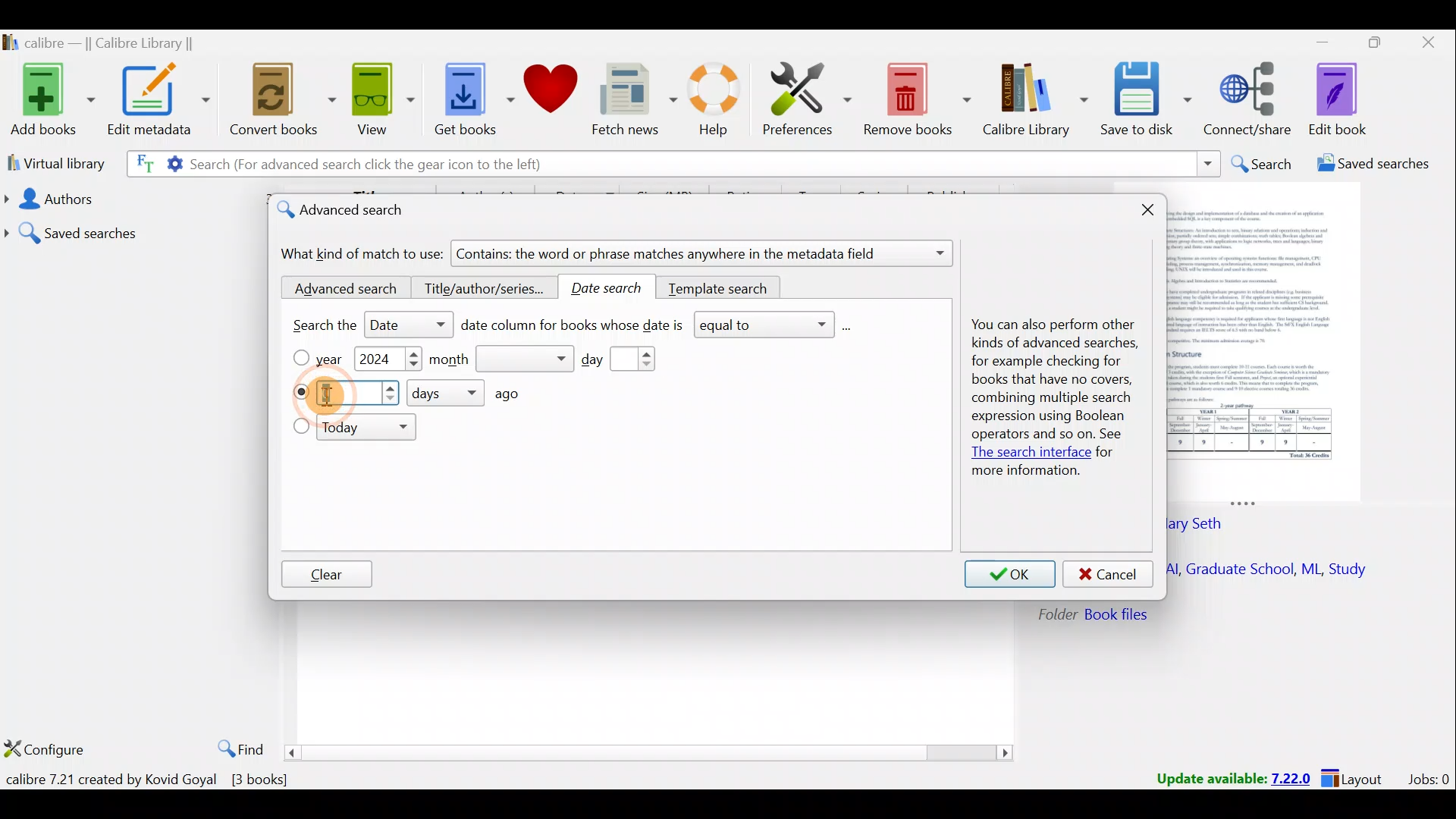 This screenshot has height=819, width=1456. Describe the element at coordinates (300, 428) in the screenshot. I see `Today checkbox` at that location.